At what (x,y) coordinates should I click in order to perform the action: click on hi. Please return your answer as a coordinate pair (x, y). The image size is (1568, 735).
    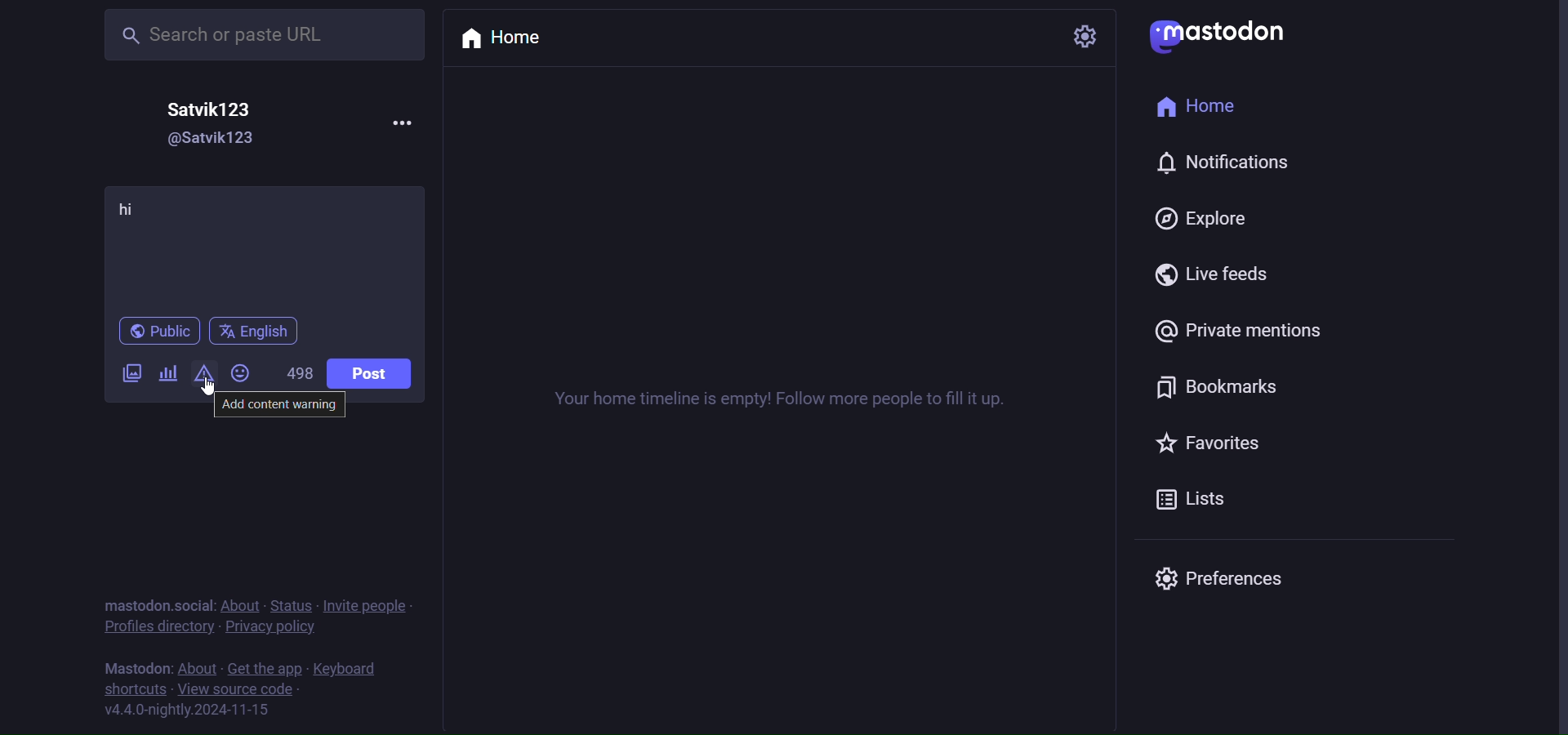
    Looking at the image, I should click on (132, 212).